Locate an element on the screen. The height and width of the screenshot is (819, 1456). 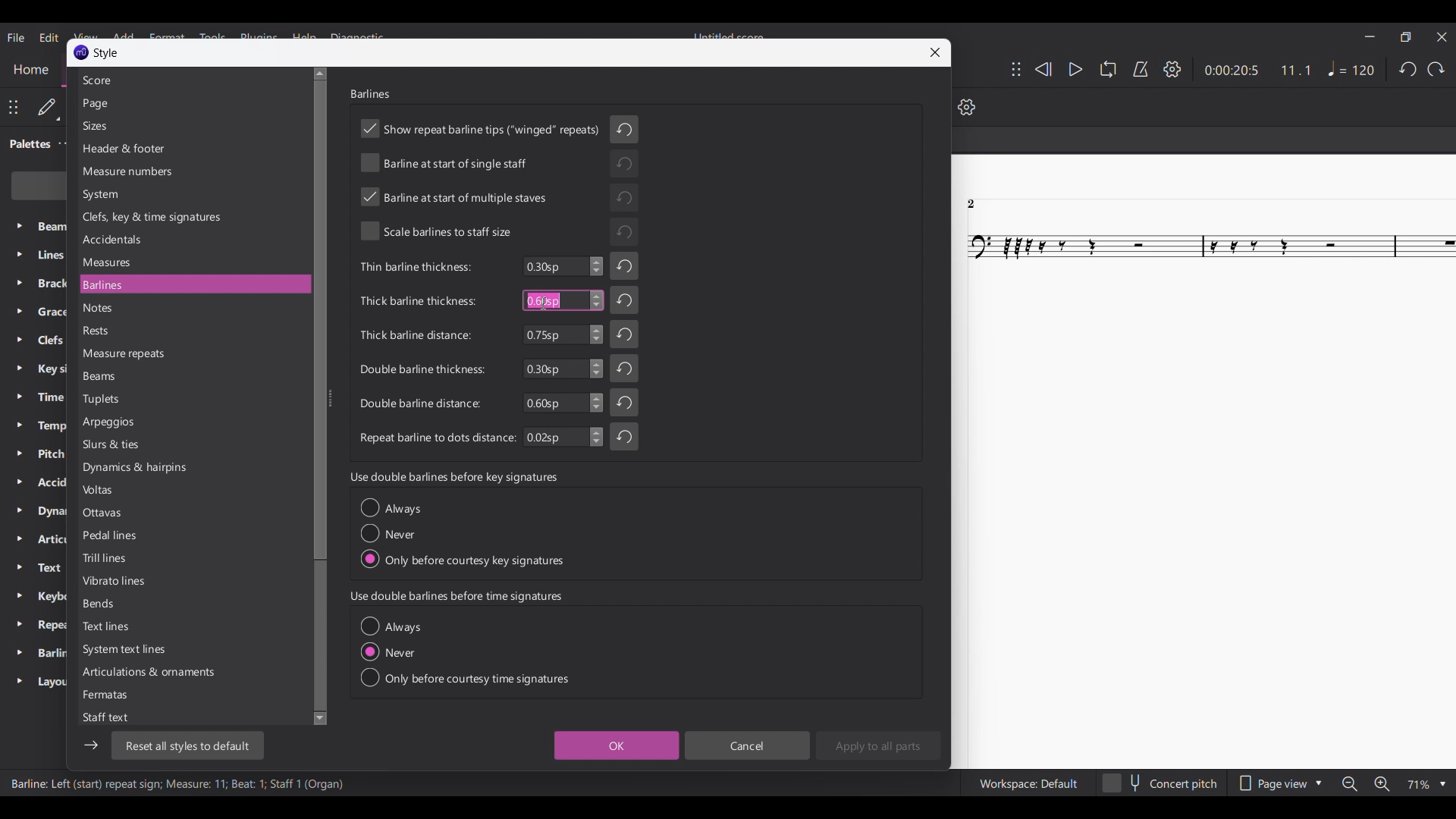
Palette setting options is located at coordinates (50, 456).